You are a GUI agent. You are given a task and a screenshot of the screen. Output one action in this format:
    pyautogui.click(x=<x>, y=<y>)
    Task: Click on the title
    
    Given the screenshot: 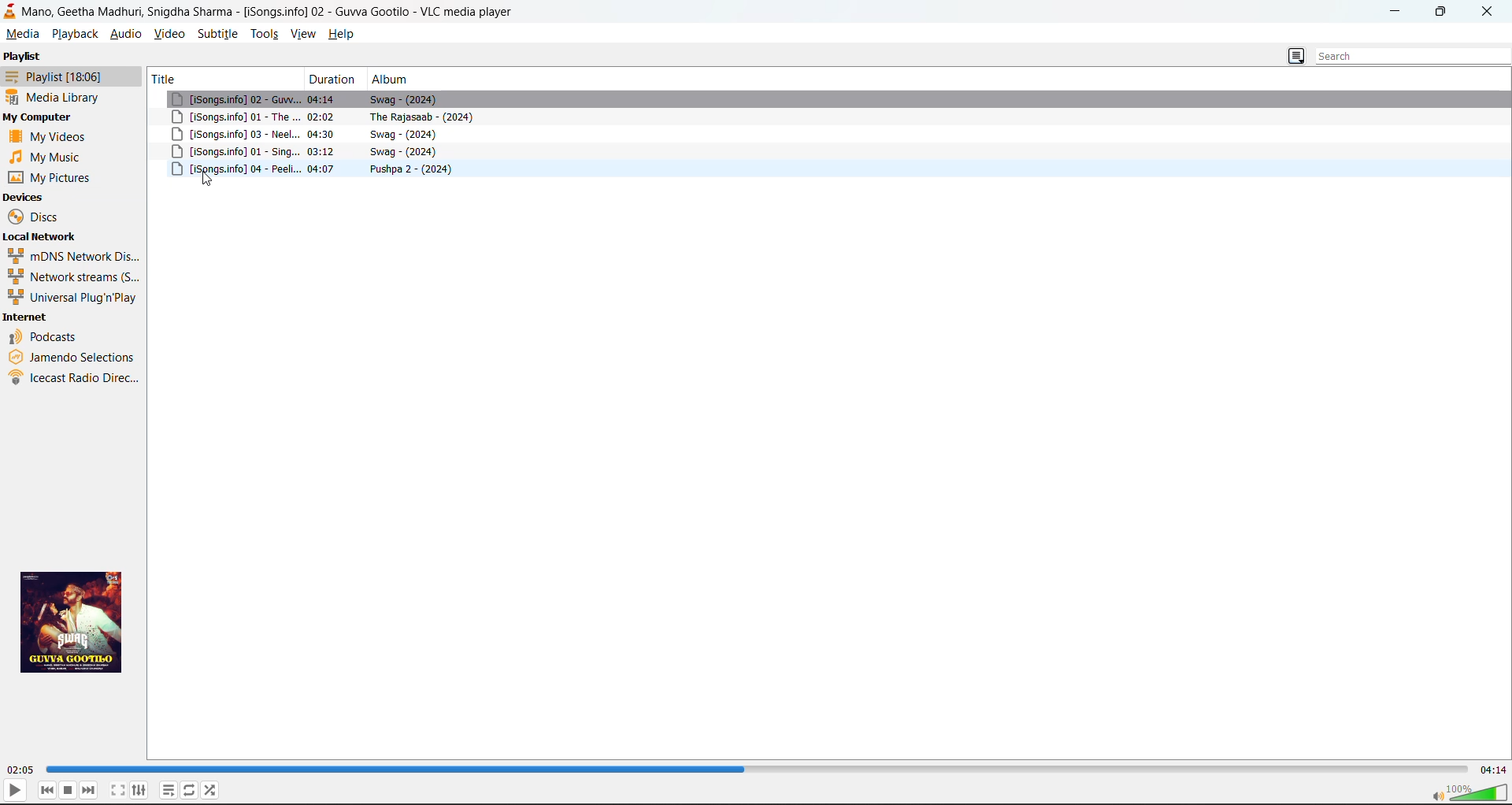 What is the action you would take?
    pyautogui.click(x=221, y=78)
    